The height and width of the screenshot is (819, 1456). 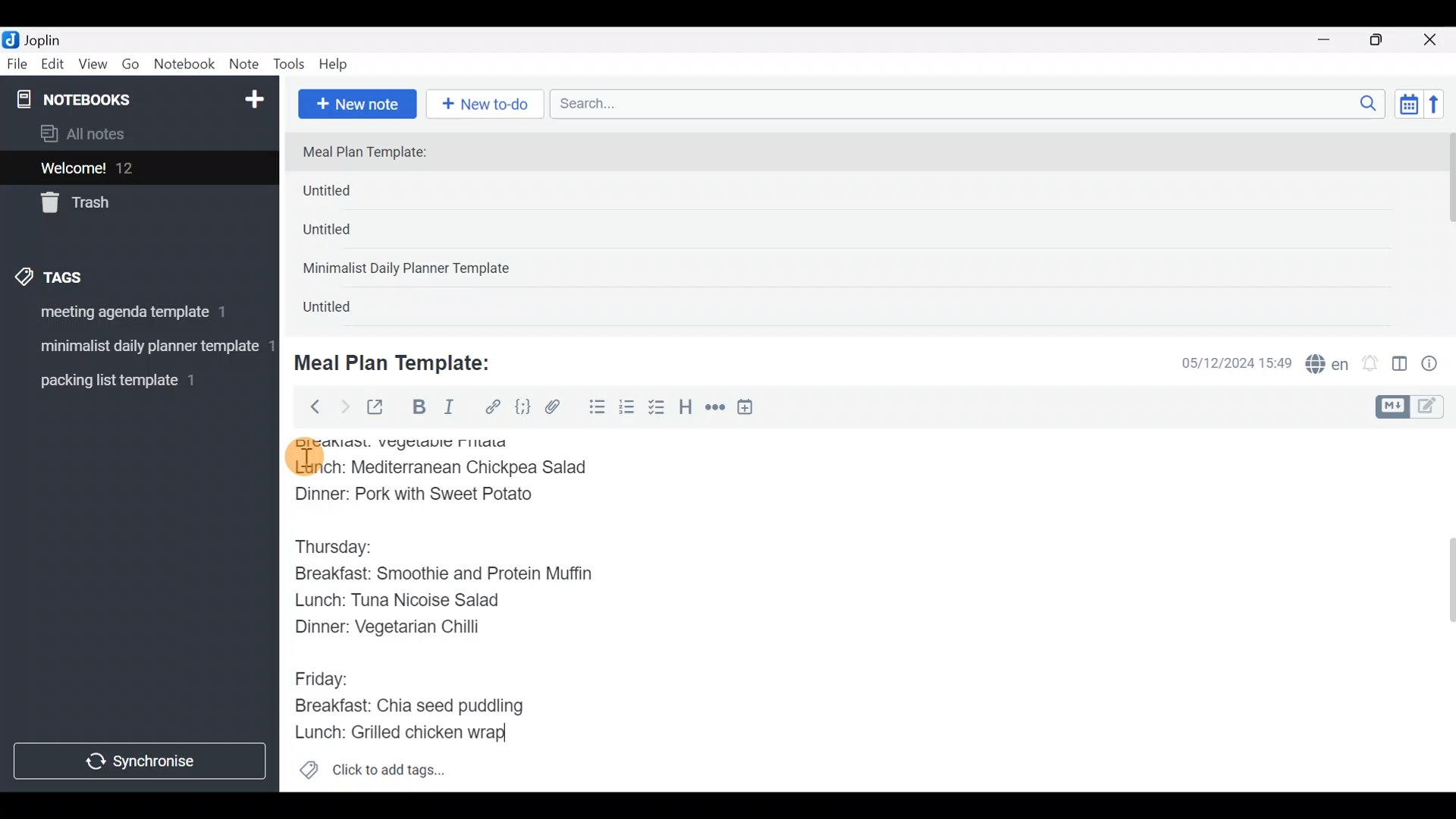 What do you see at coordinates (403, 736) in the screenshot?
I see `Lunch: Grilled chicken wrap` at bounding box center [403, 736].